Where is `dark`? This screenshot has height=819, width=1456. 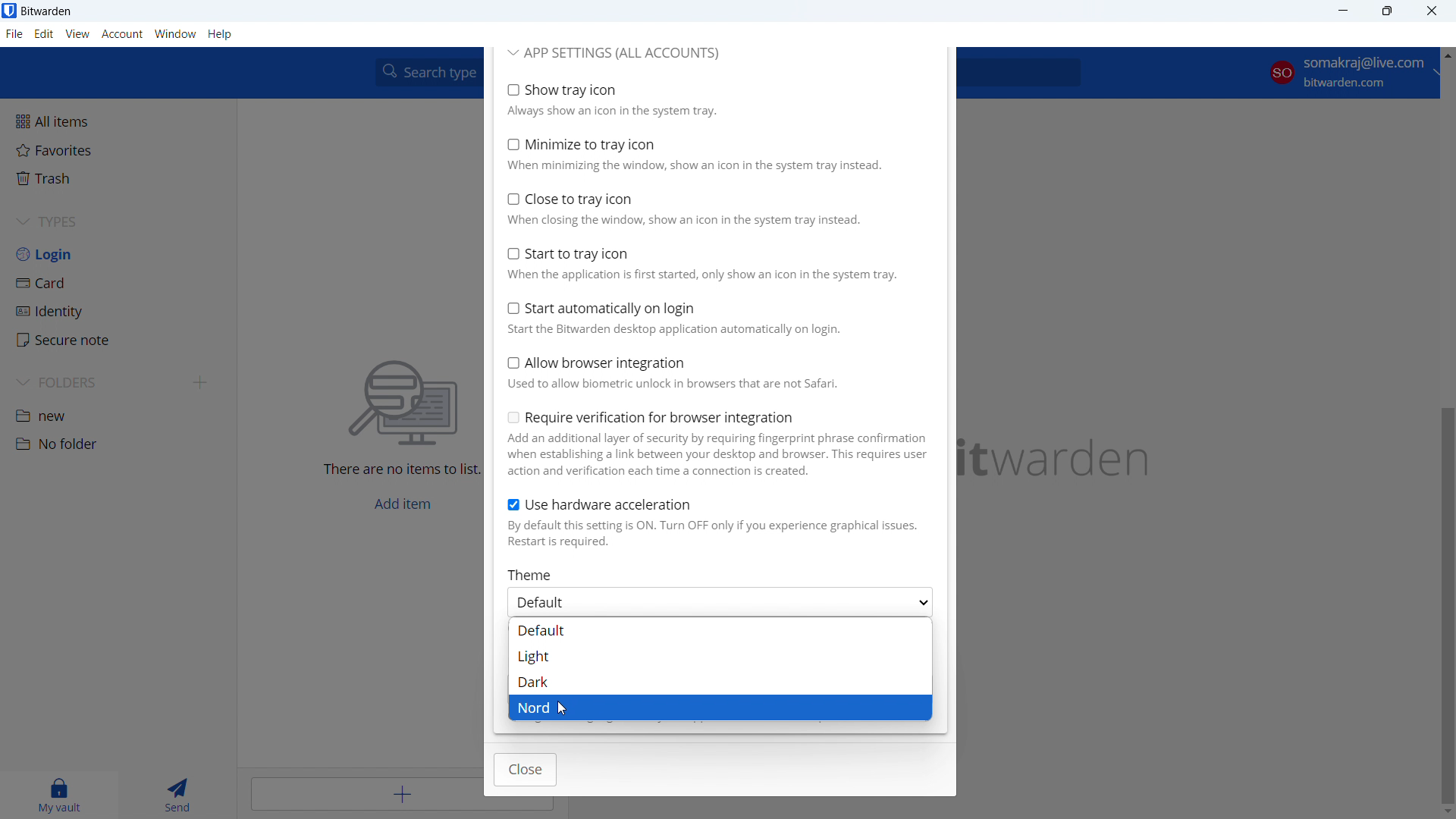 dark is located at coordinates (720, 682).